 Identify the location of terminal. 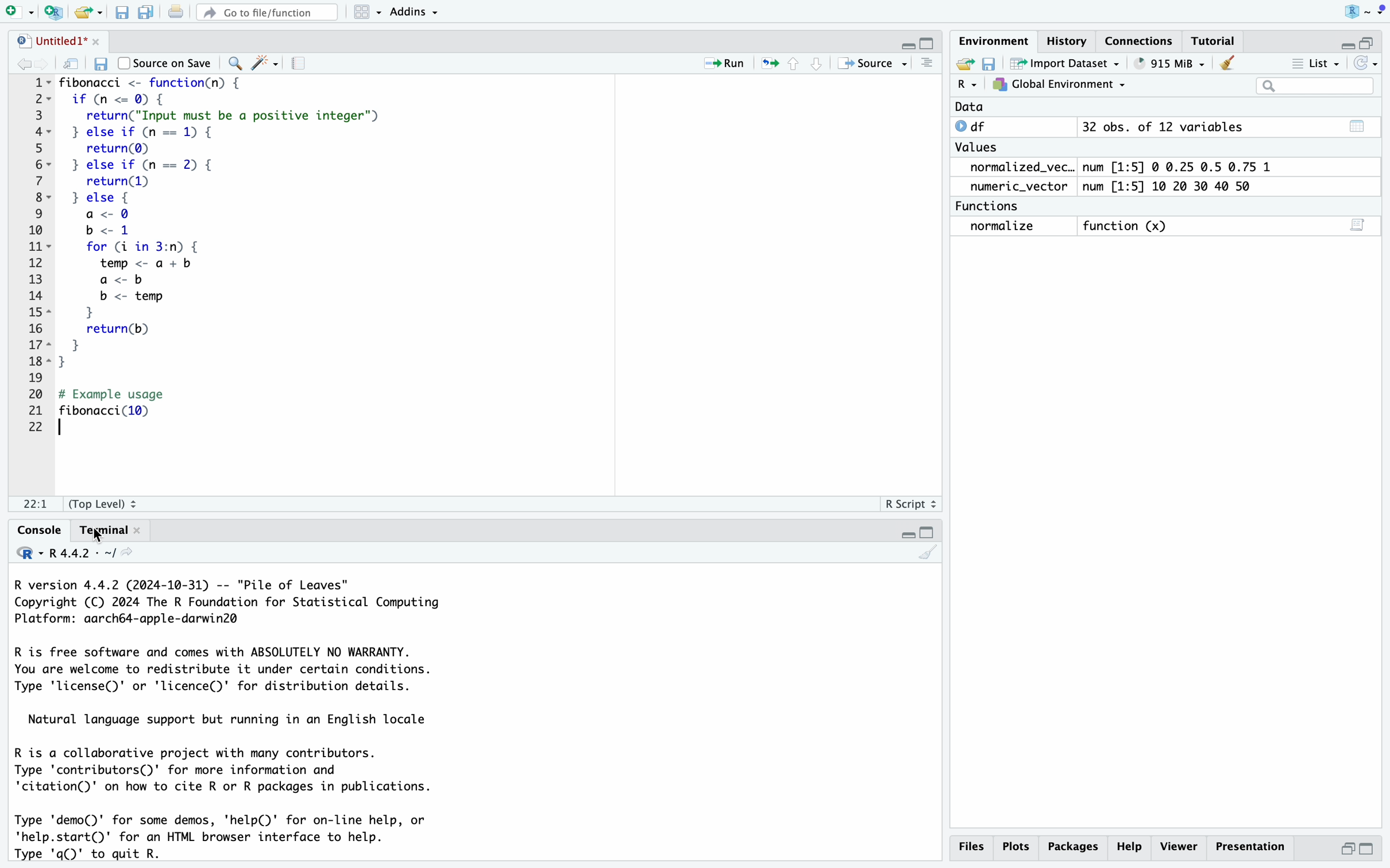
(113, 529).